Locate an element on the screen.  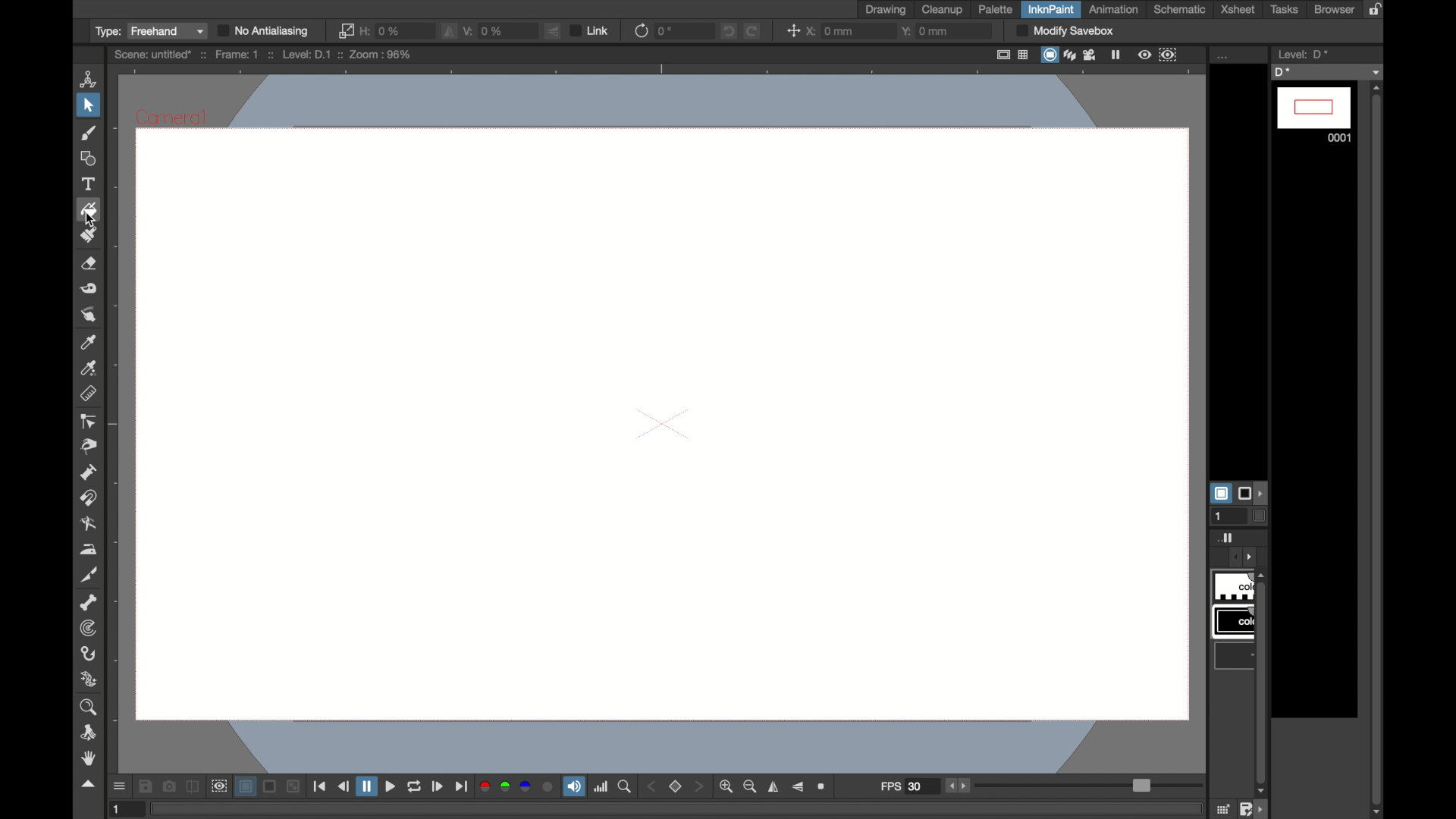
animate tool  is located at coordinates (86, 79).